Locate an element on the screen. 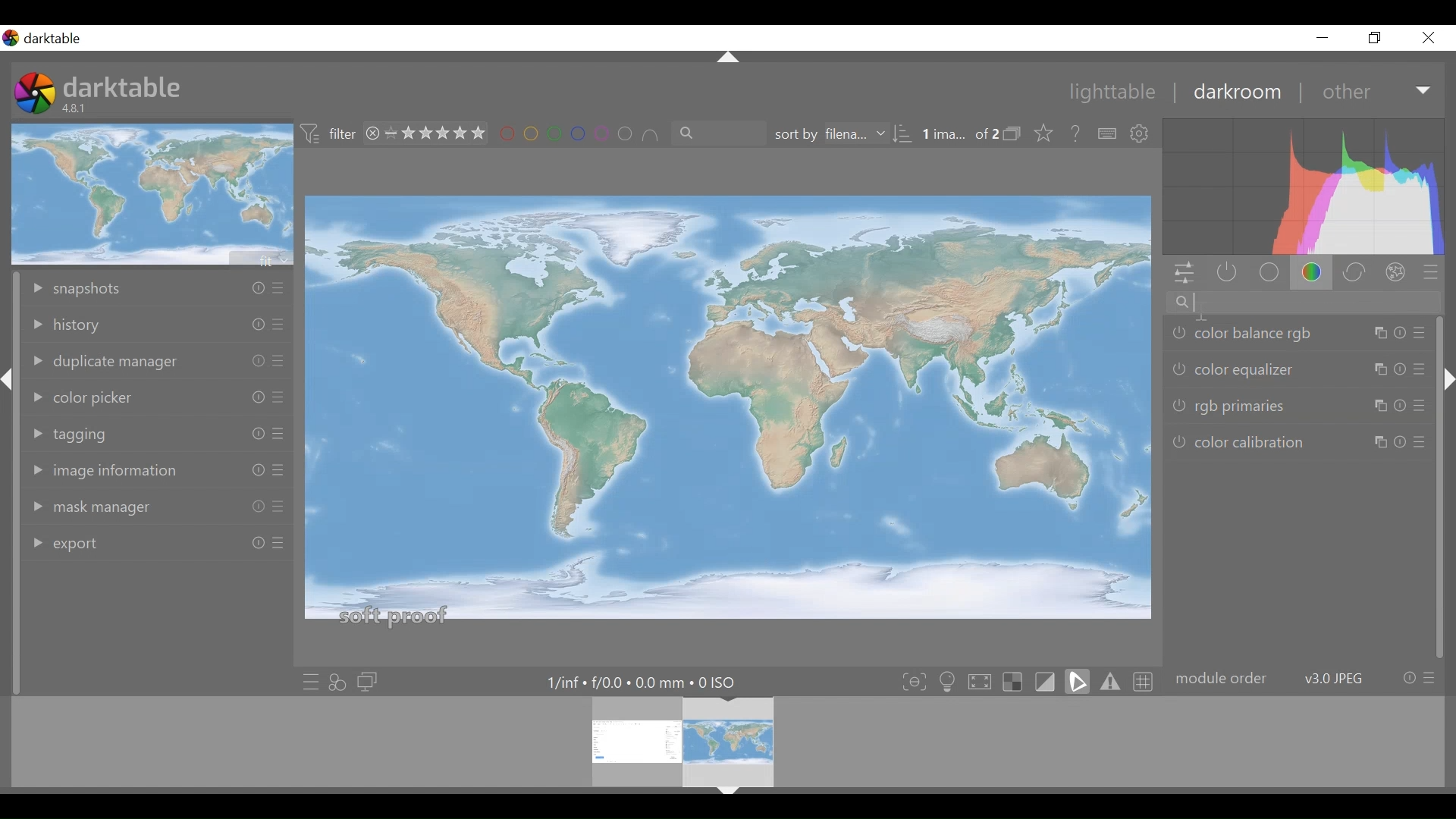 This screenshot has height=819, width=1456. image selected out of is located at coordinates (959, 135).